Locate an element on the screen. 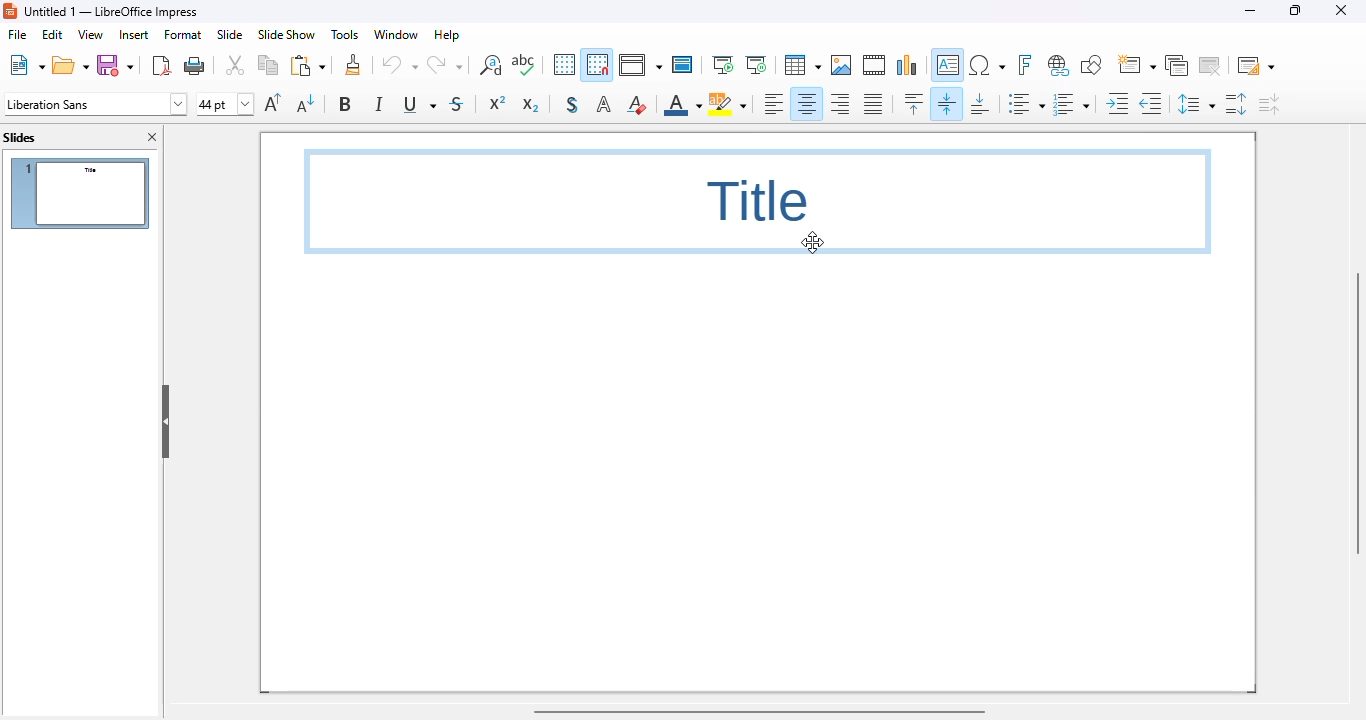 This screenshot has width=1366, height=720. center vertically is located at coordinates (948, 103).